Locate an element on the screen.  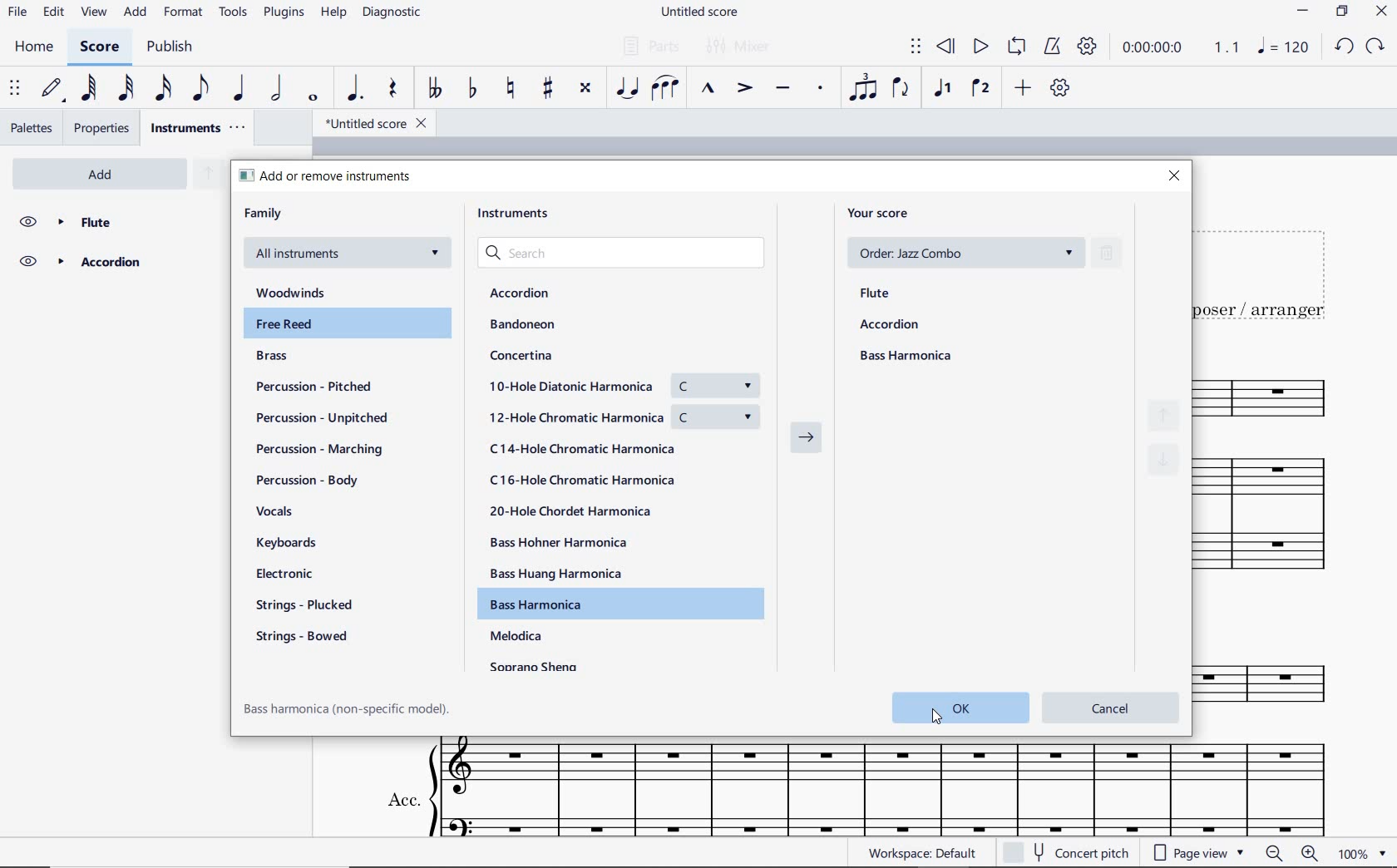
rewind is located at coordinates (949, 47).